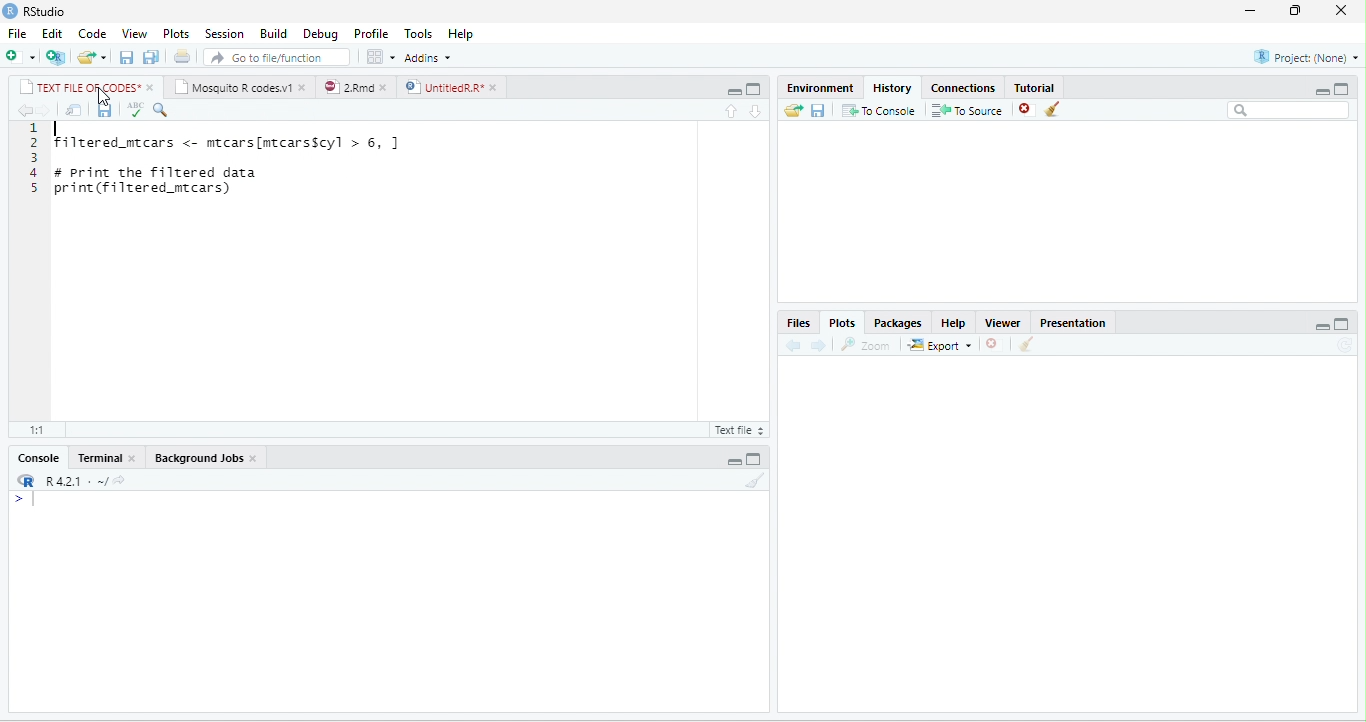  I want to click on Export, so click(939, 345).